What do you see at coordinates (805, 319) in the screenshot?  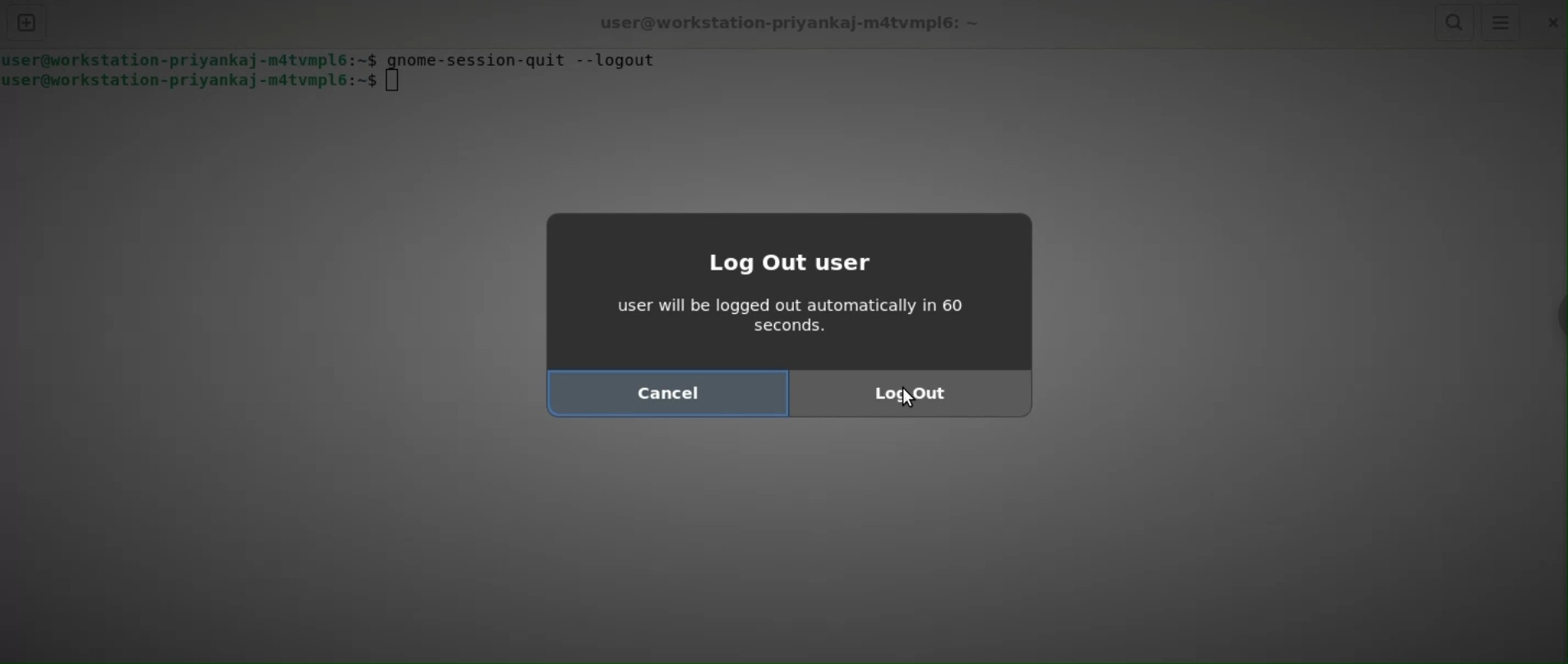 I see `user will be logged out automatically in 60 seconds ` at bounding box center [805, 319].